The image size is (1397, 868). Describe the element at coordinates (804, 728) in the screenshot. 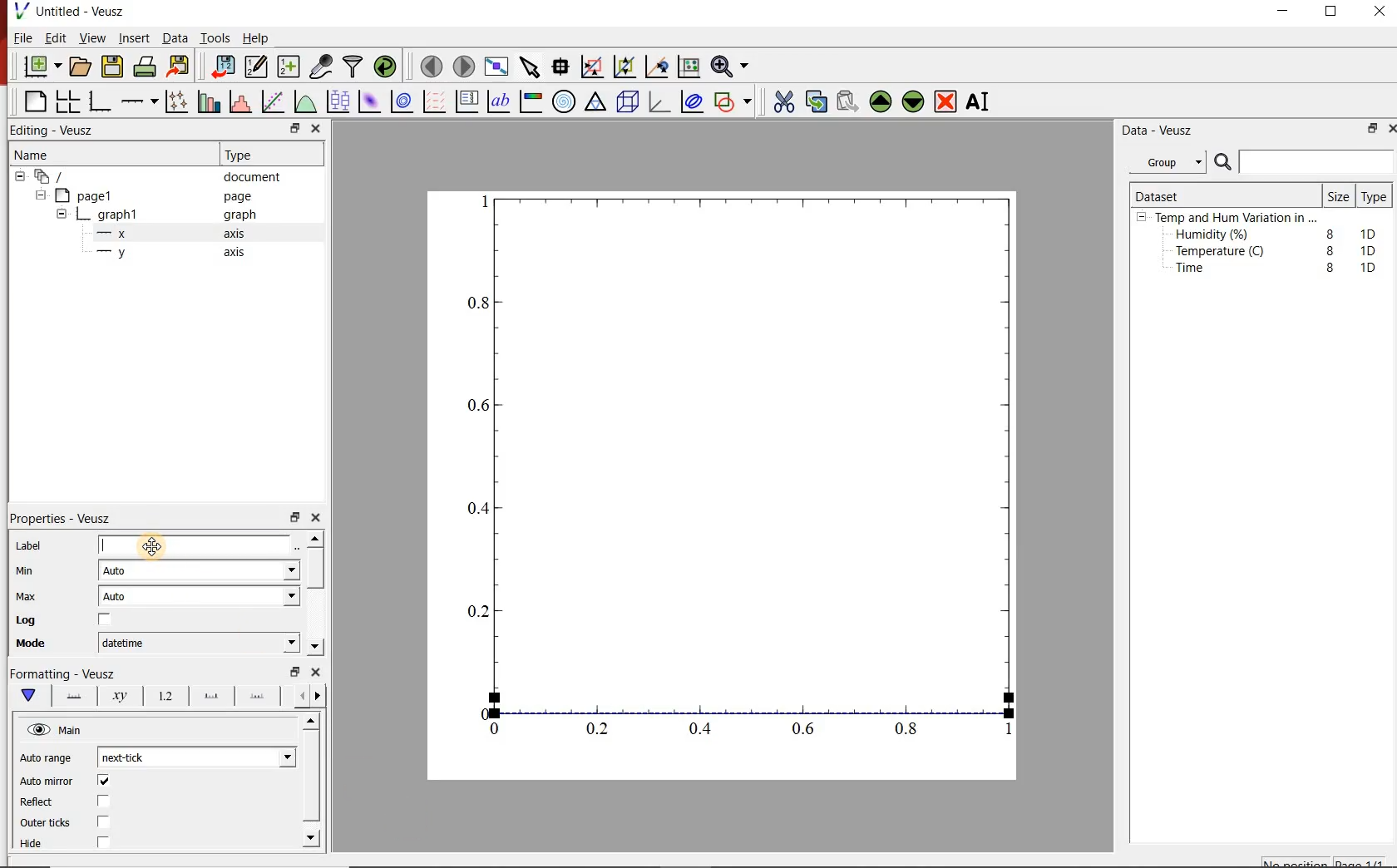

I see `0.6` at that location.